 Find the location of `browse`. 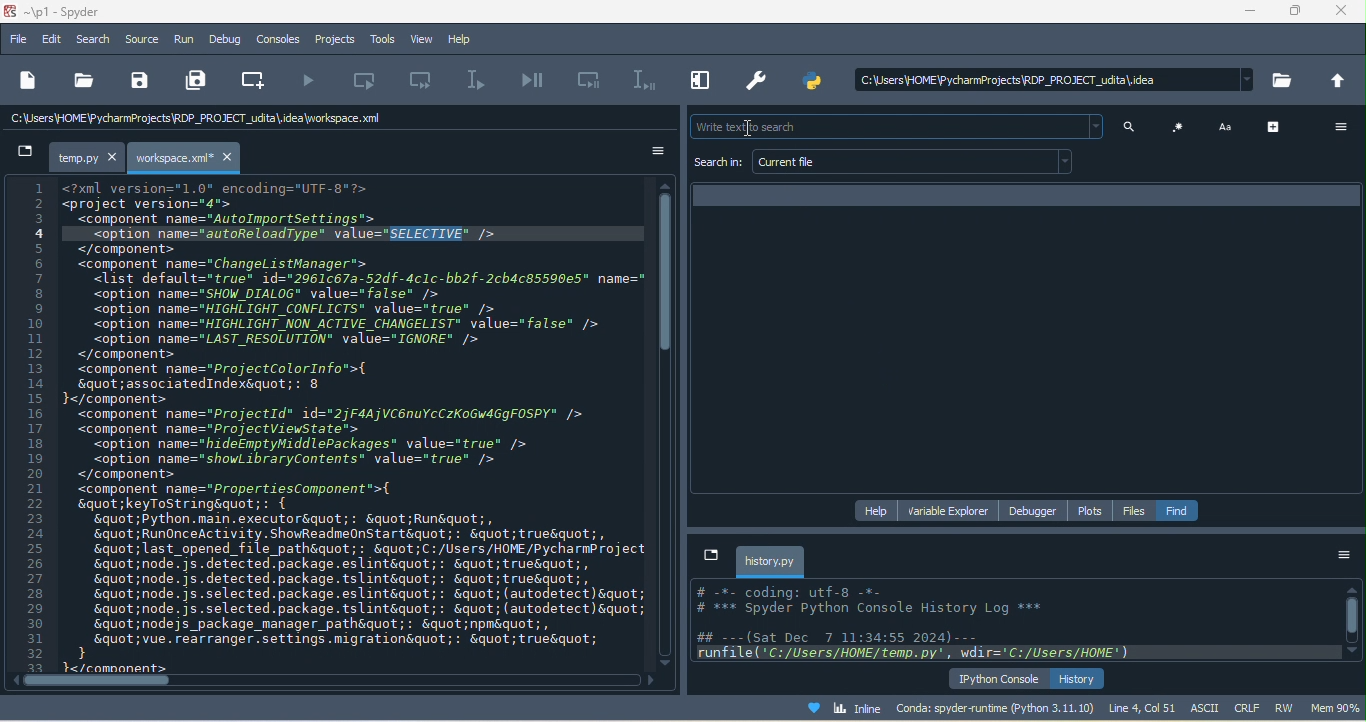

browse is located at coordinates (1285, 84).